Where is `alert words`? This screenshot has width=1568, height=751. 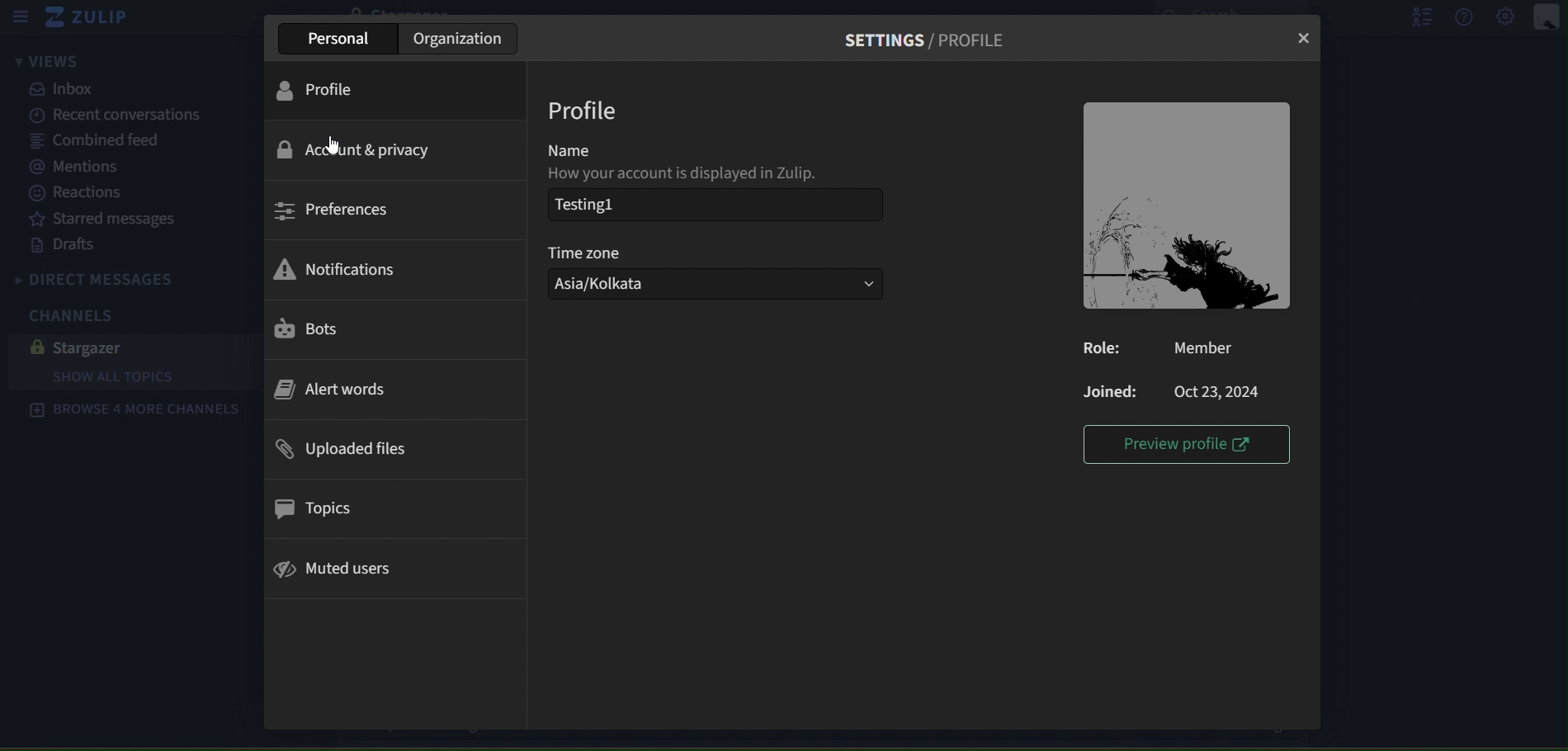
alert words is located at coordinates (333, 391).